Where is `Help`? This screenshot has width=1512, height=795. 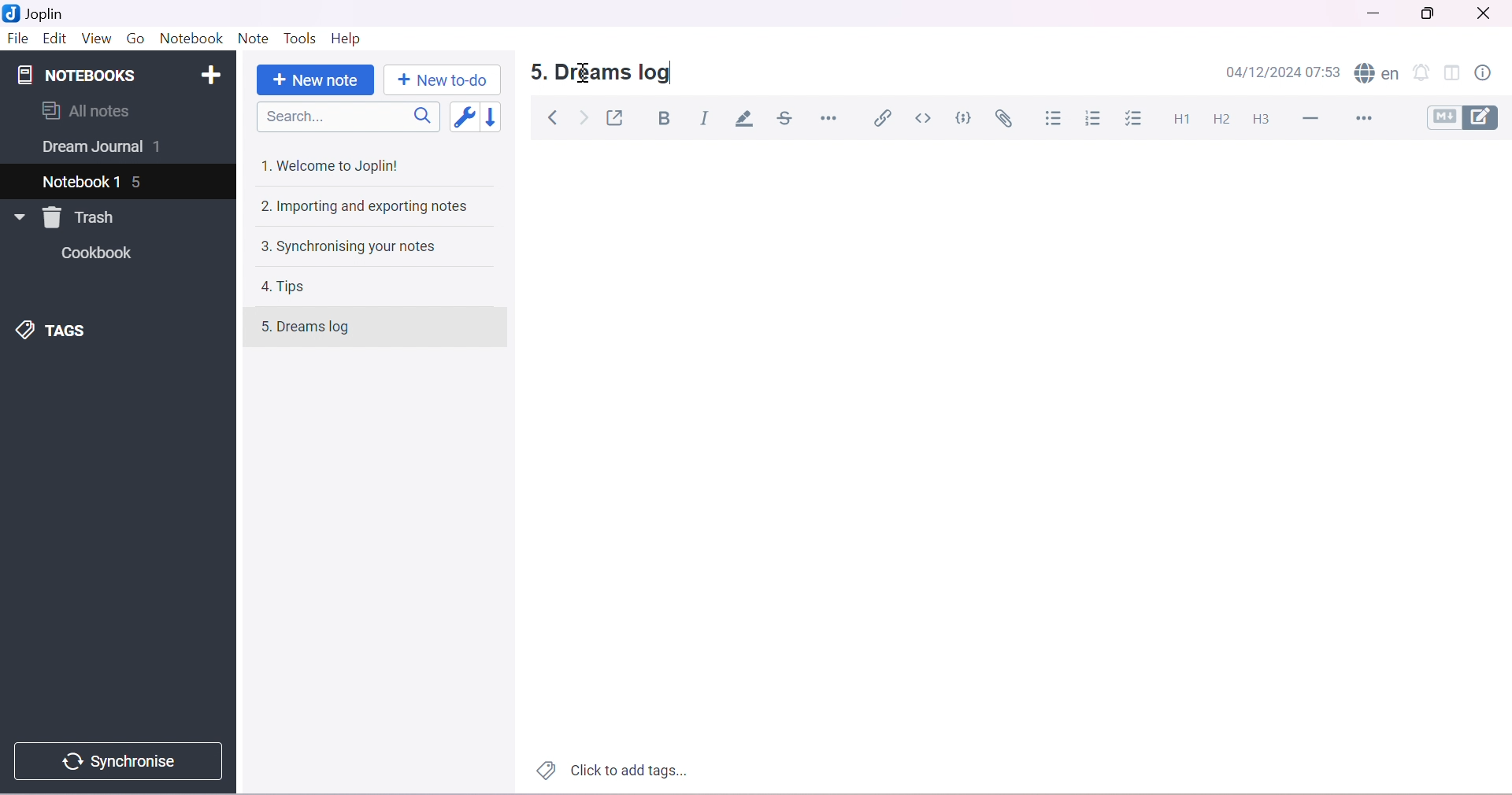 Help is located at coordinates (346, 37).